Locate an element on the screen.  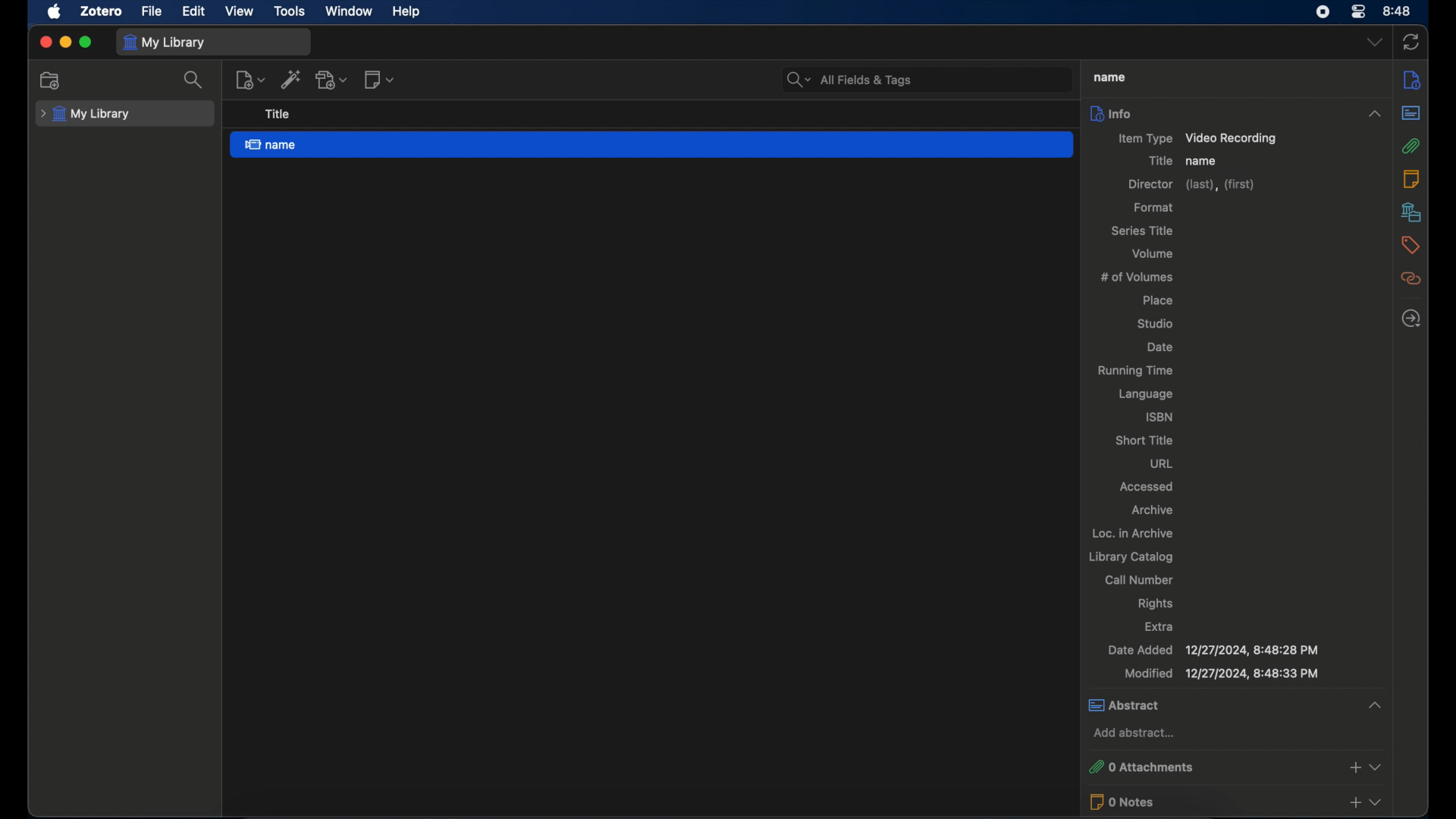
archive is located at coordinates (1153, 510).